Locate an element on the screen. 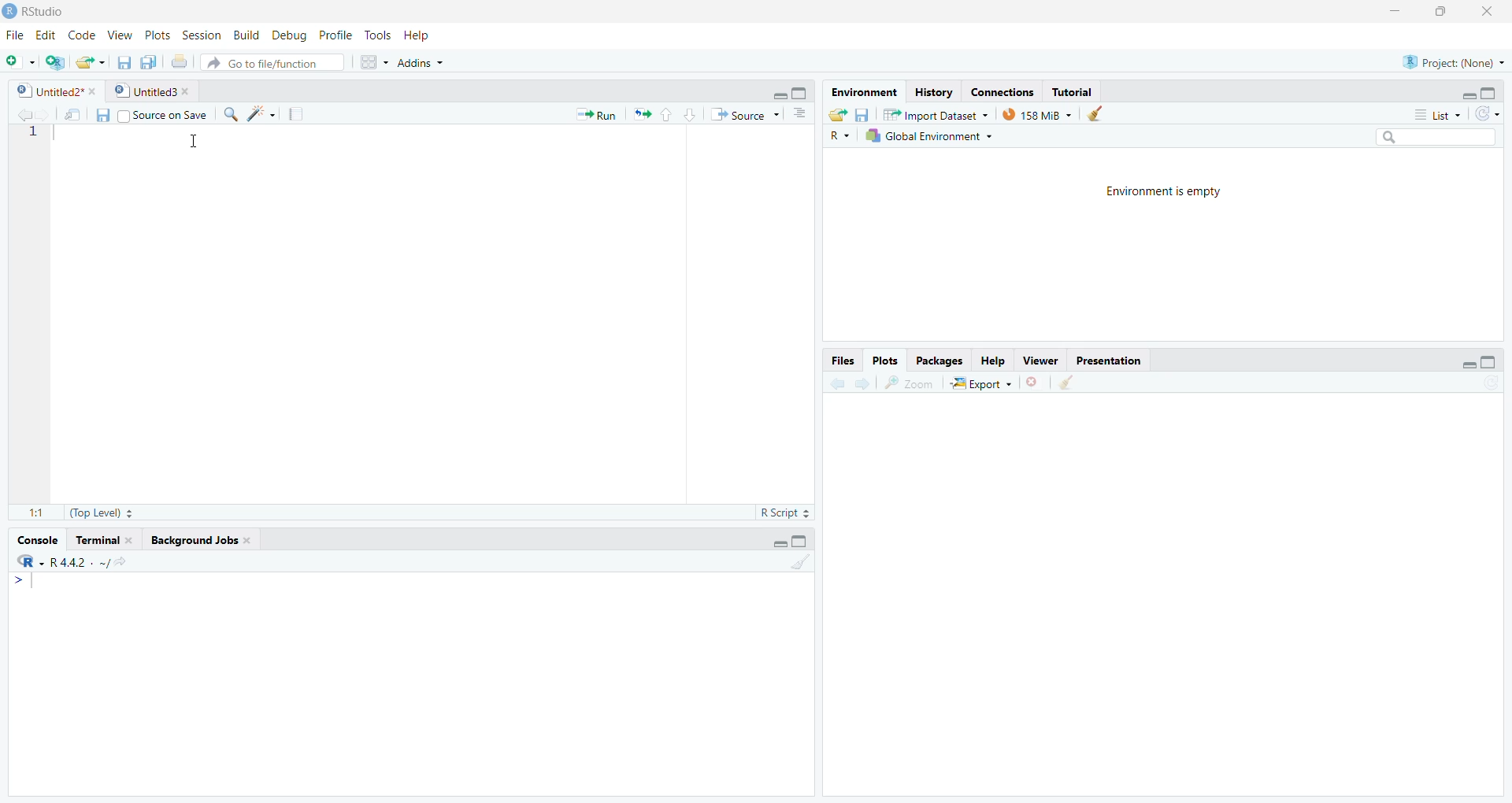 The width and height of the screenshot is (1512, 803). text cursor is located at coordinates (191, 139).